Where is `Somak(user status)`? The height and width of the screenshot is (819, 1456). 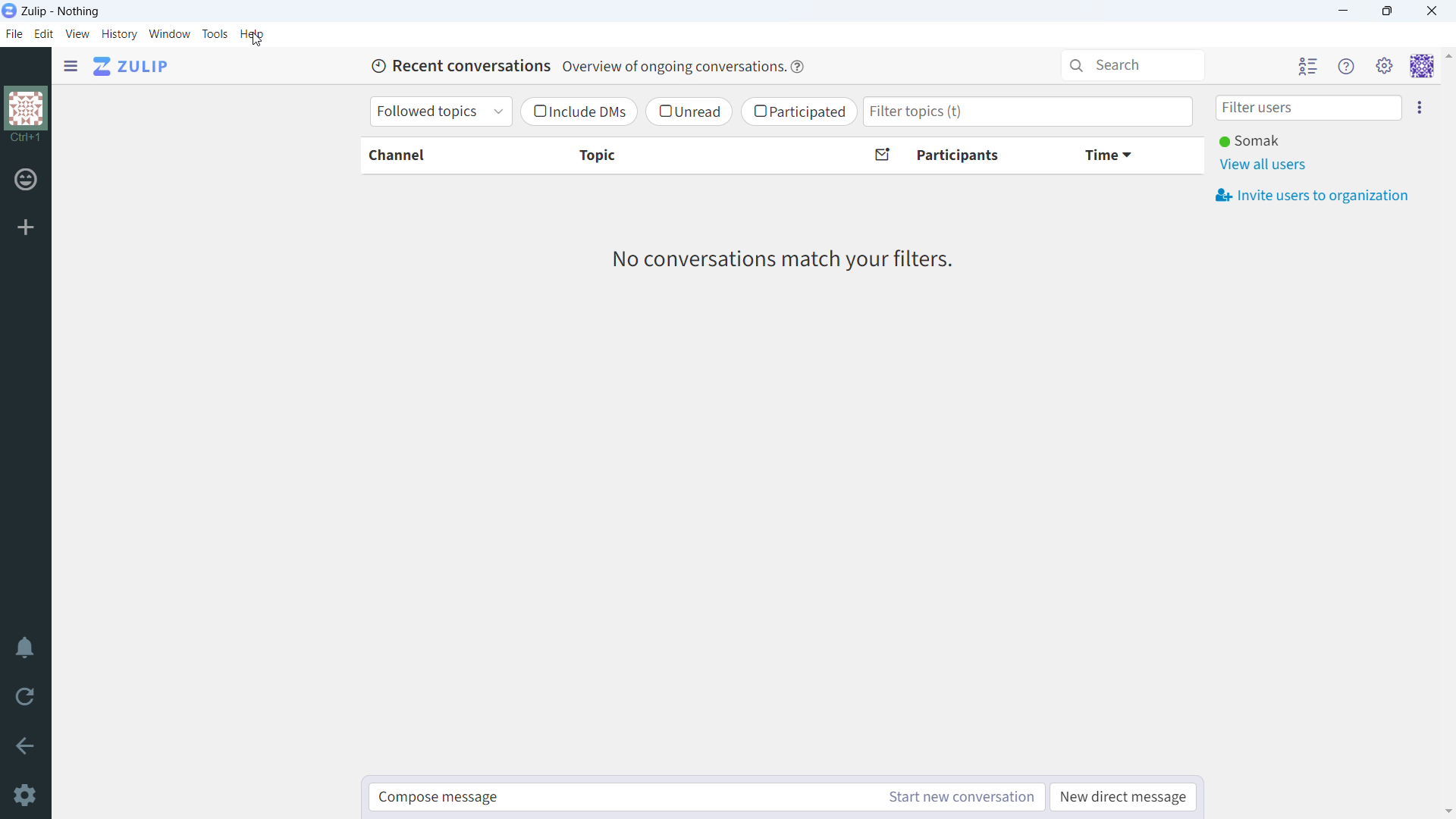 Somak(user status) is located at coordinates (1251, 141).